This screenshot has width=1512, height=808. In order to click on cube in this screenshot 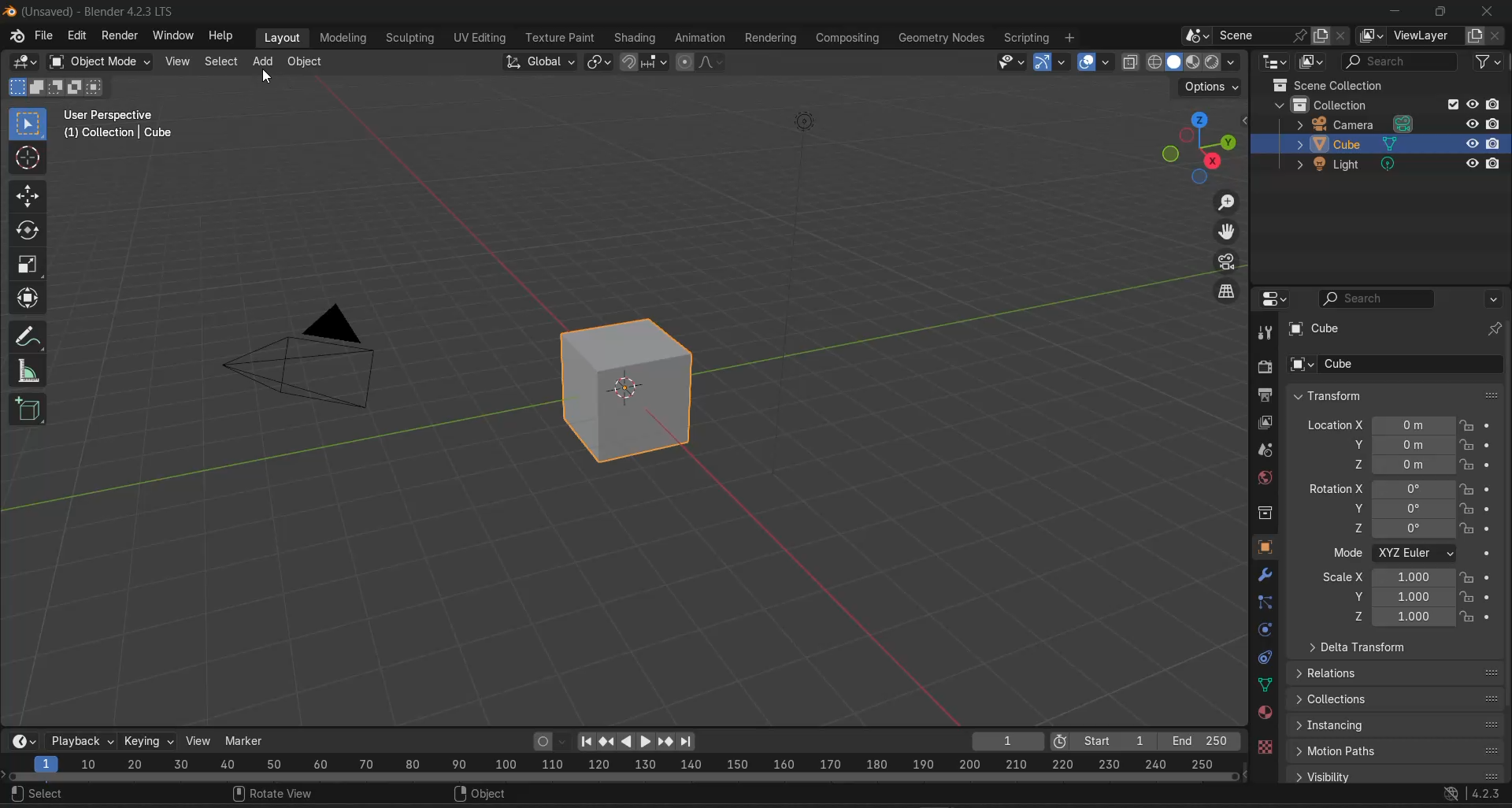, I will do `click(634, 391)`.